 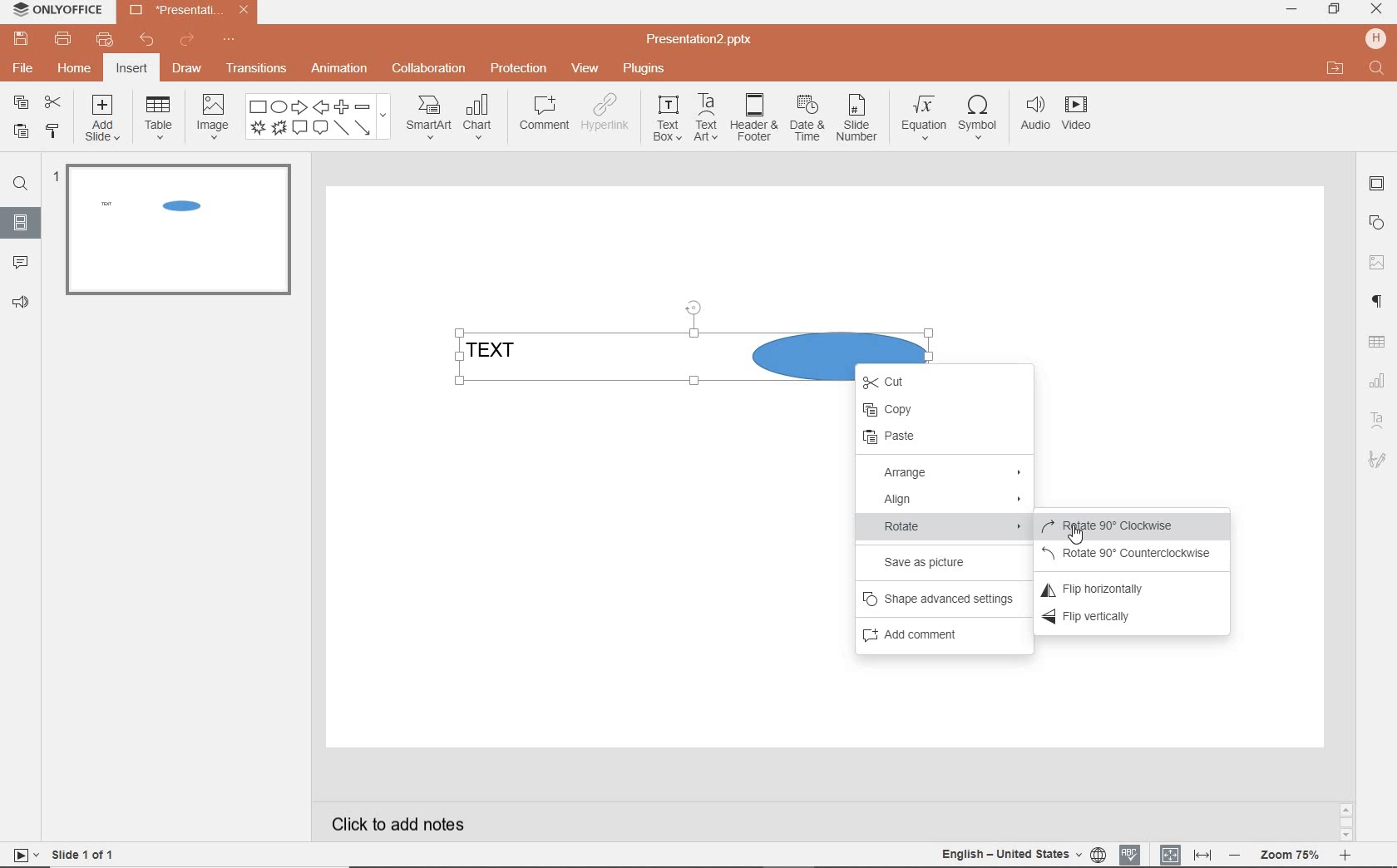 What do you see at coordinates (704, 116) in the screenshot?
I see `textart` at bounding box center [704, 116].